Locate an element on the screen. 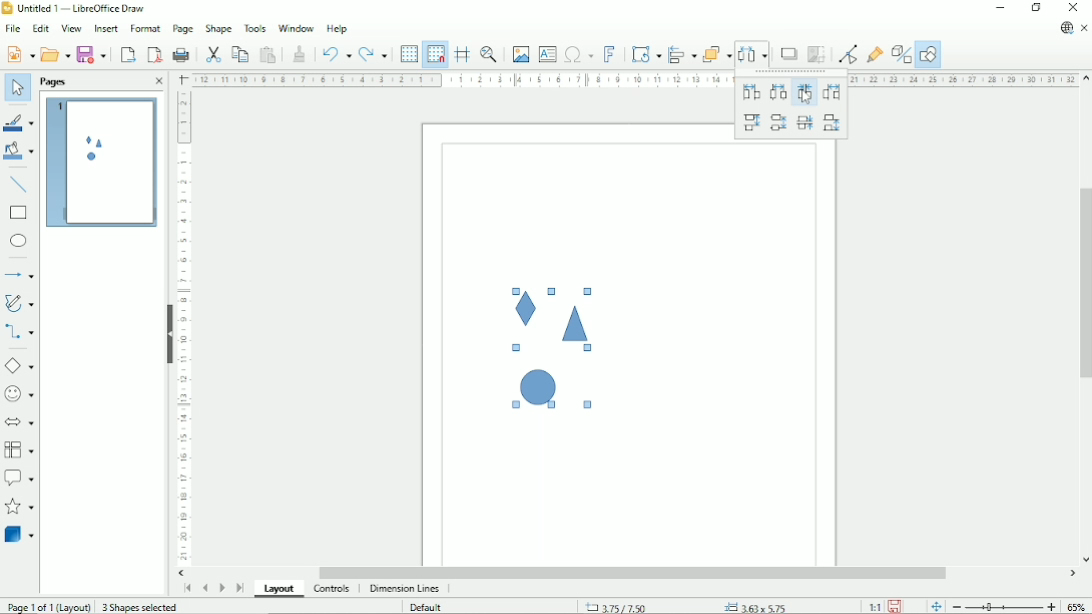 This screenshot has height=614, width=1092. Ellipse is located at coordinates (18, 242).